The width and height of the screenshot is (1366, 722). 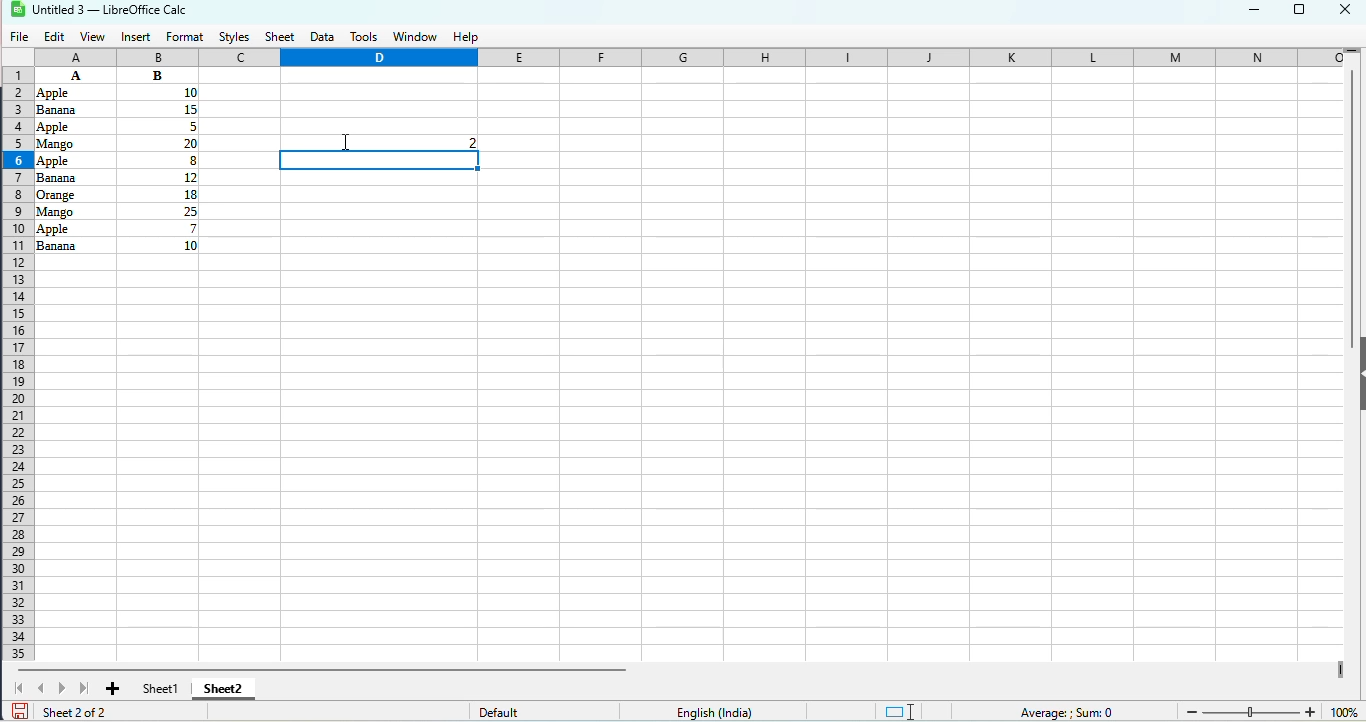 What do you see at coordinates (279, 38) in the screenshot?
I see `sheet` at bounding box center [279, 38].